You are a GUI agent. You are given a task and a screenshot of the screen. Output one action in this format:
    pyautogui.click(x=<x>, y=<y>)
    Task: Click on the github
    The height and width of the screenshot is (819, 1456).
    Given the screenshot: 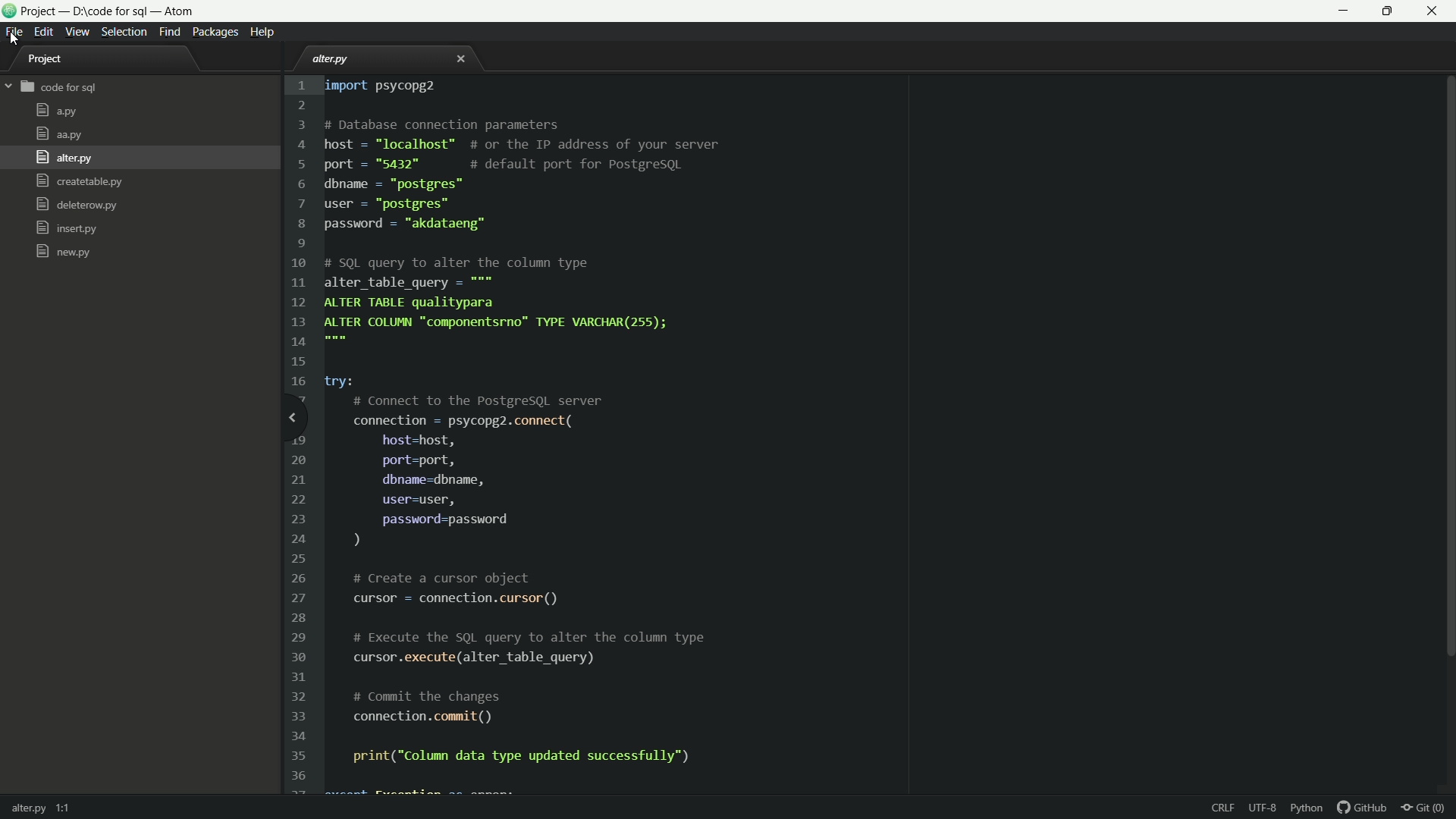 What is the action you would take?
    pyautogui.click(x=1363, y=808)
    